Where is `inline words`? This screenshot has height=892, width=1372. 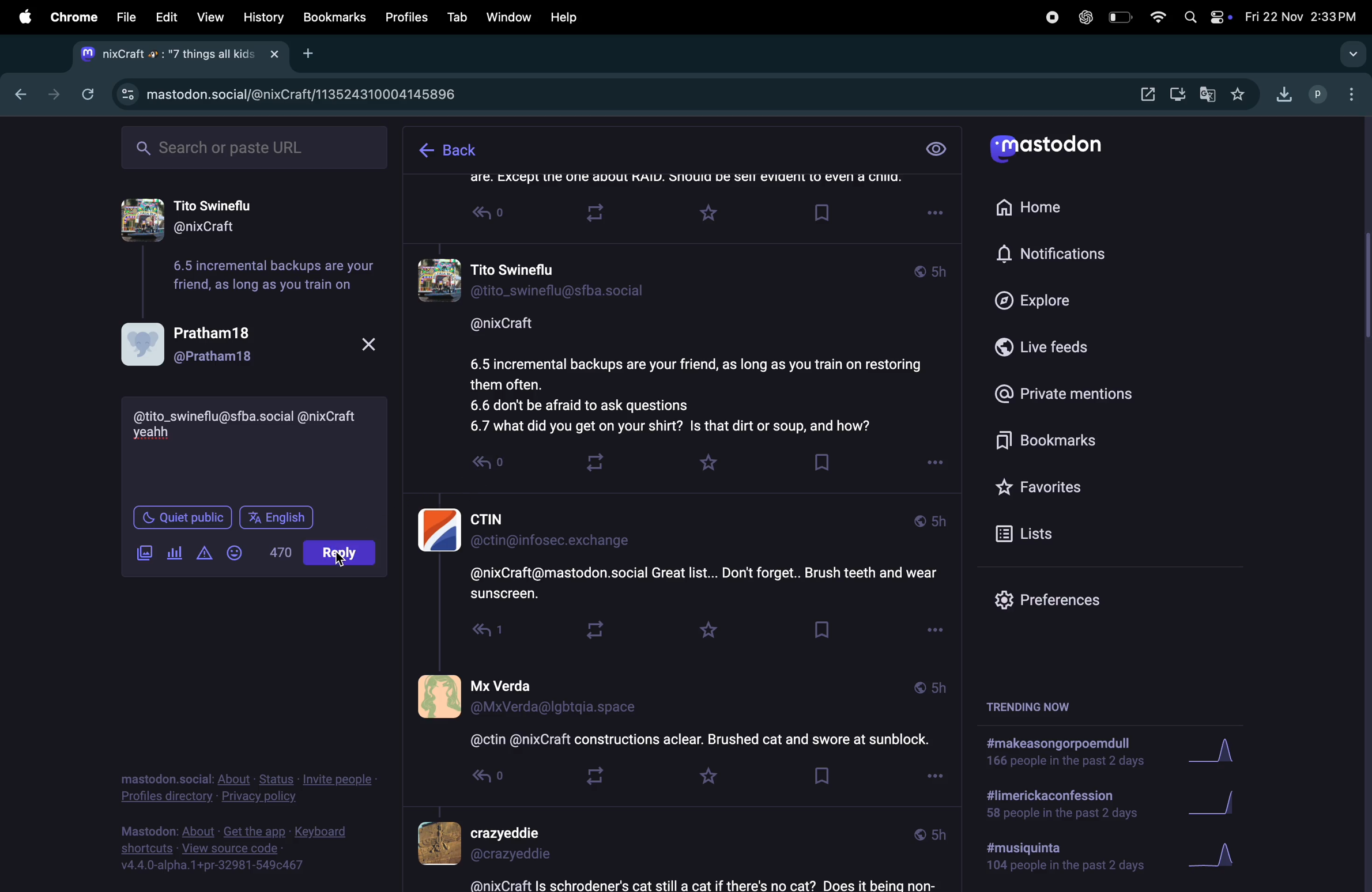
inline words is located at coordinates (281, 552).